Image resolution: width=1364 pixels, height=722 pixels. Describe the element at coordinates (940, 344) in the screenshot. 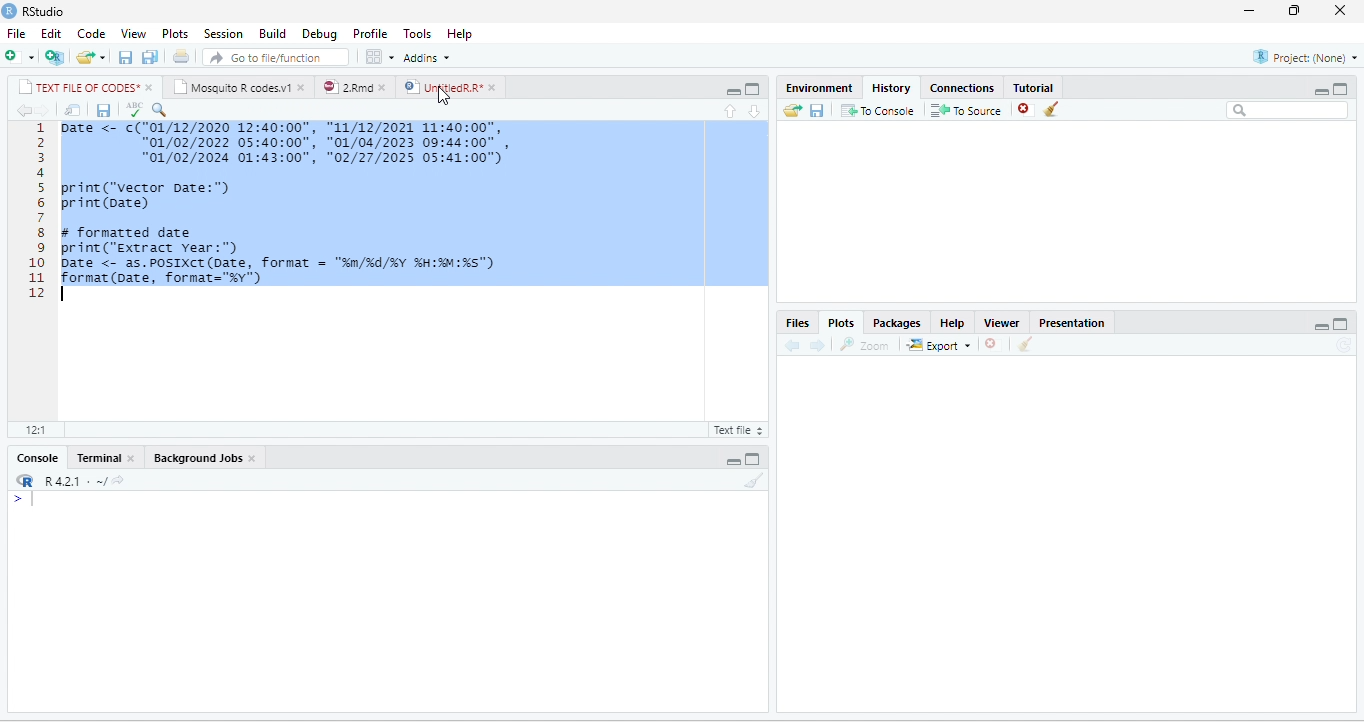

I see `Export` at that location.